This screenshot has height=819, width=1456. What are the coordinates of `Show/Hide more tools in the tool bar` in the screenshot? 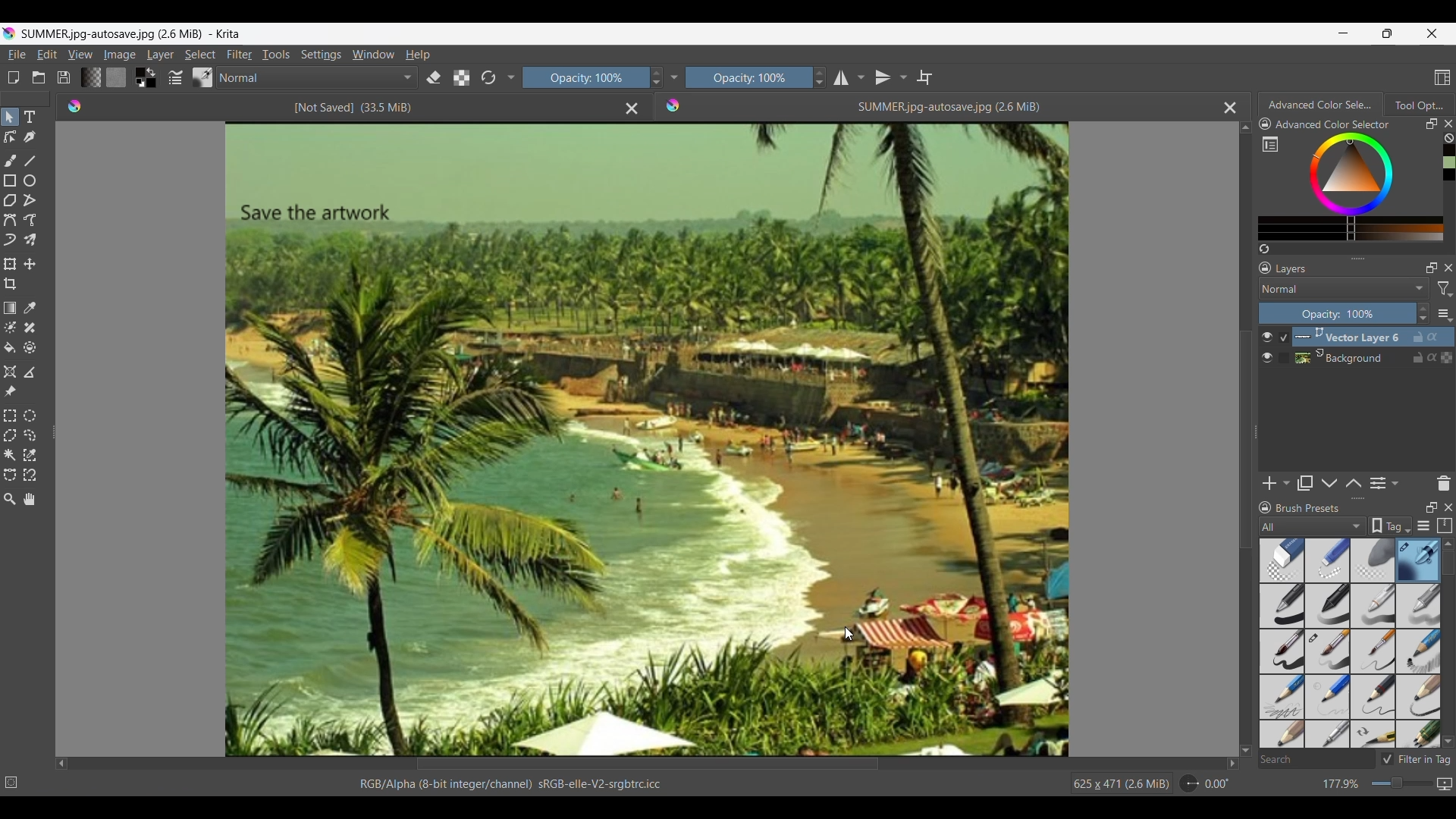 It's located at (673, 78).